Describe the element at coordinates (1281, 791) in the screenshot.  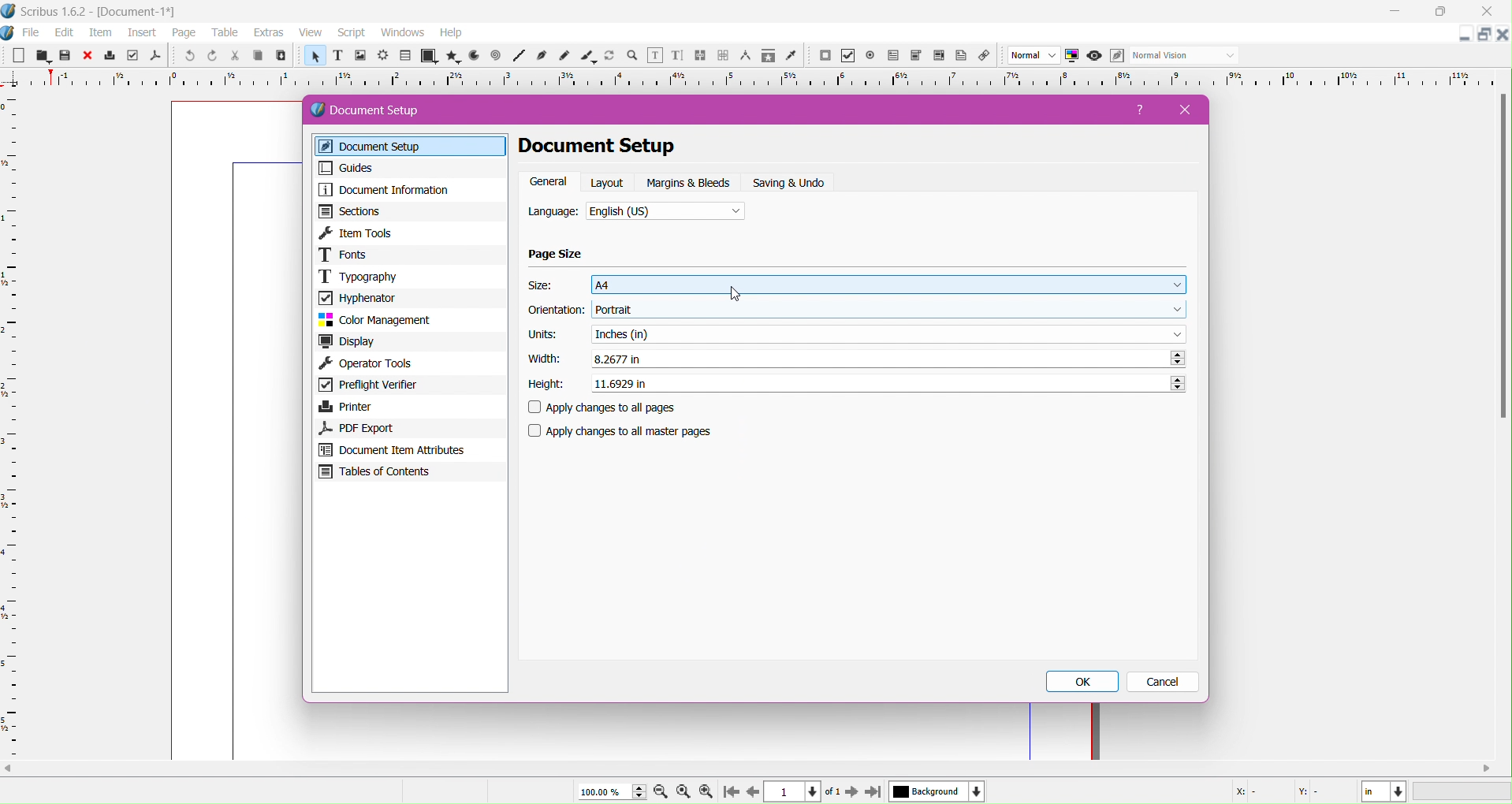
I see `X:- Y:-` at that location.